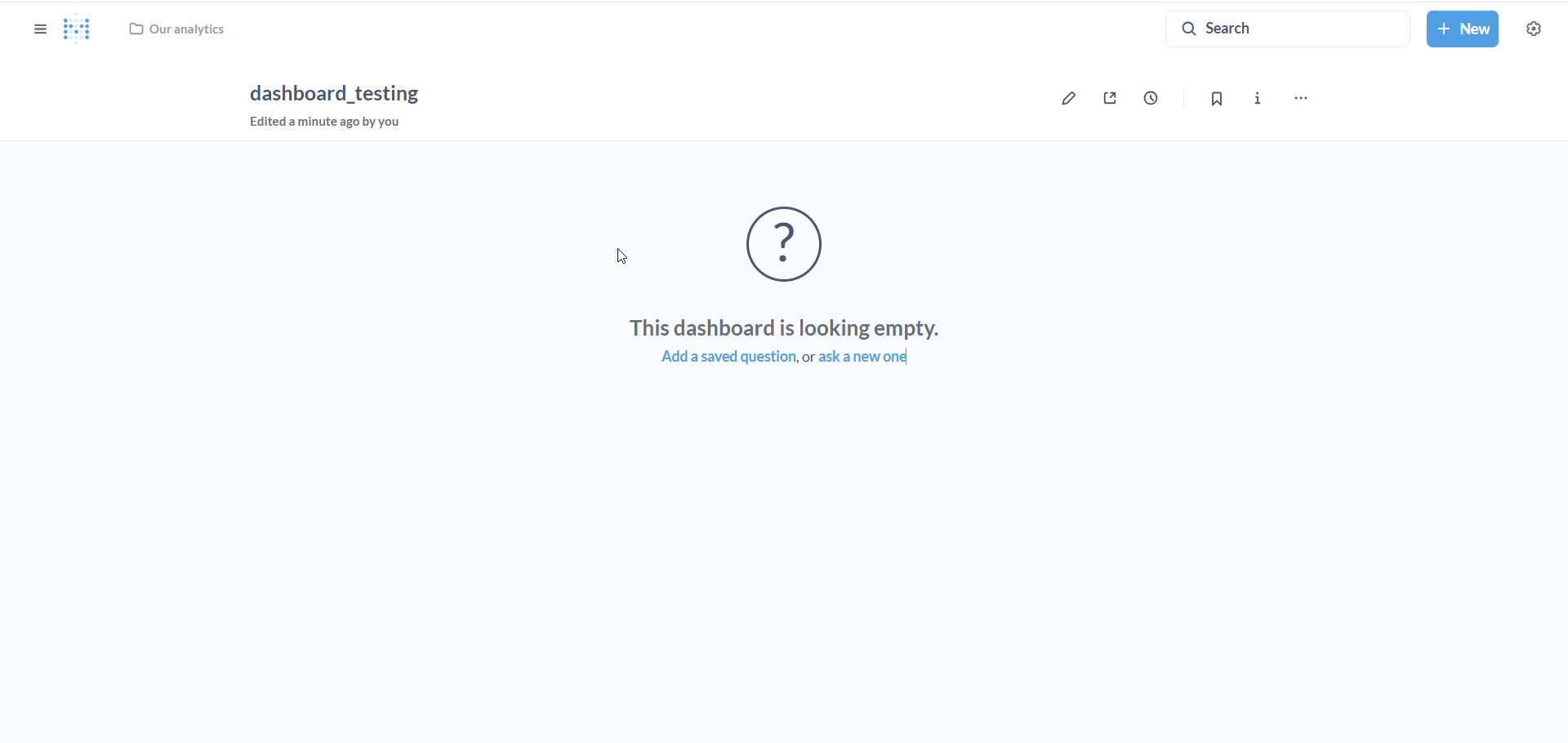 The height and width of the screenshot is (743, 1568). Describe the element at coordinates (787, 242) in the screenshot. I see `question mark graphic` at that location.